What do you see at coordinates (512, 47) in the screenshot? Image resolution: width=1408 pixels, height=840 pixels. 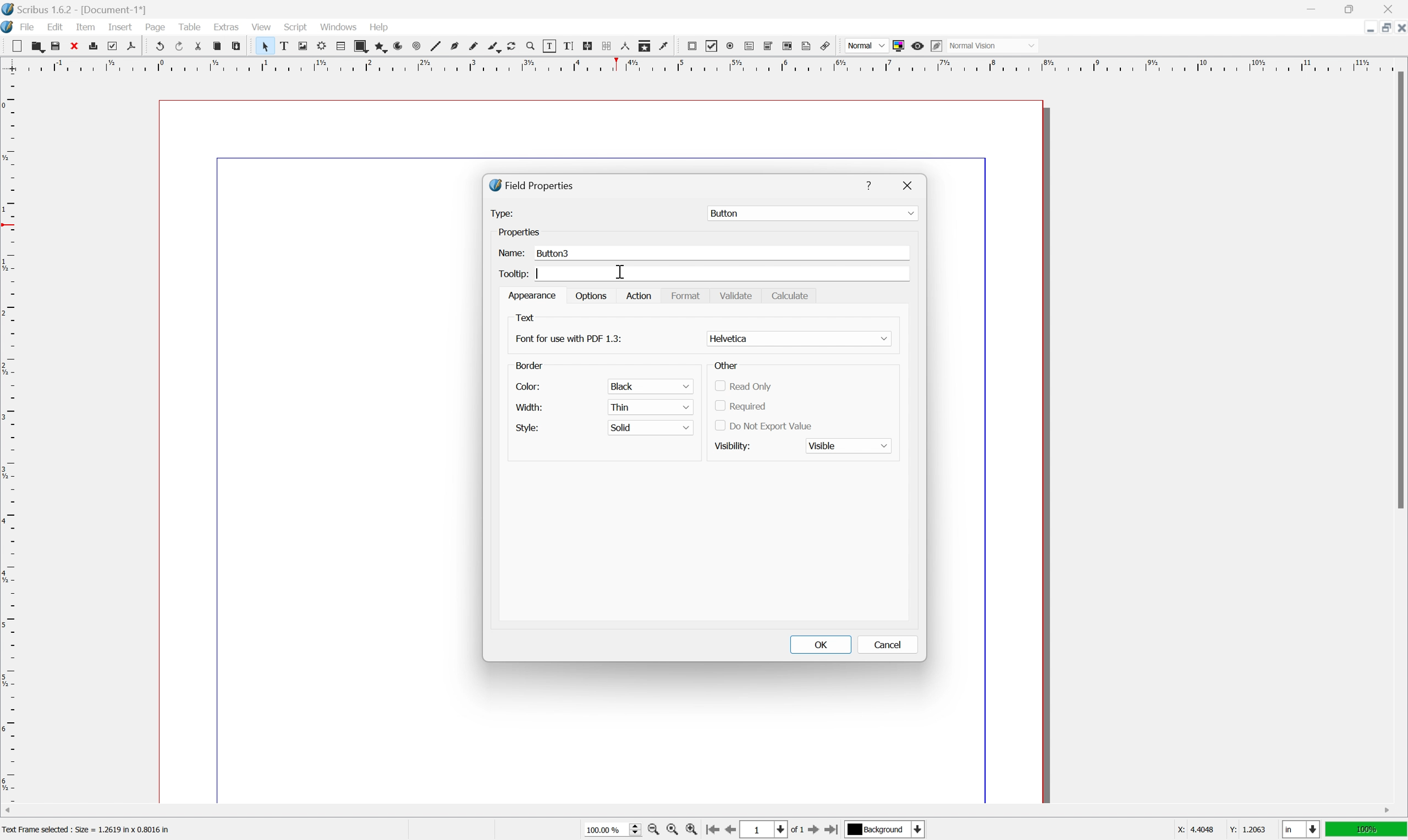 I see `rotate item` at bounding box center [512, 47].